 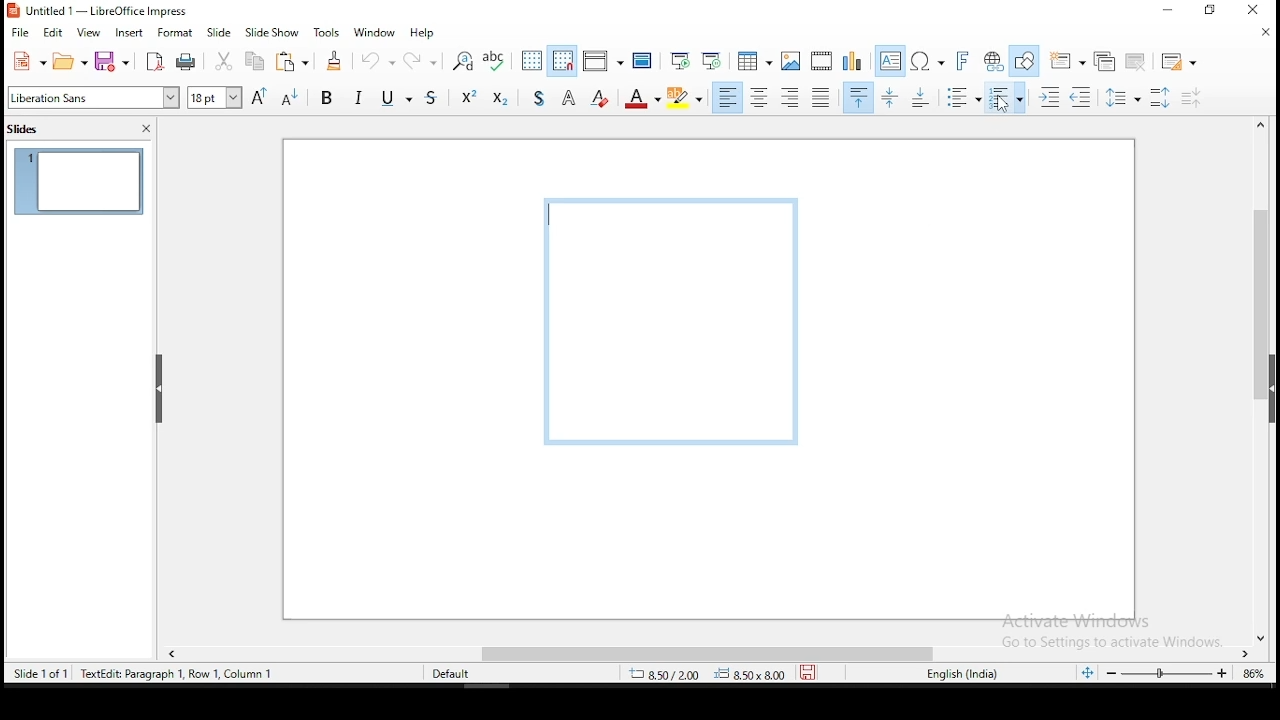 I want to click on restore, so click(x=1210, y=11).